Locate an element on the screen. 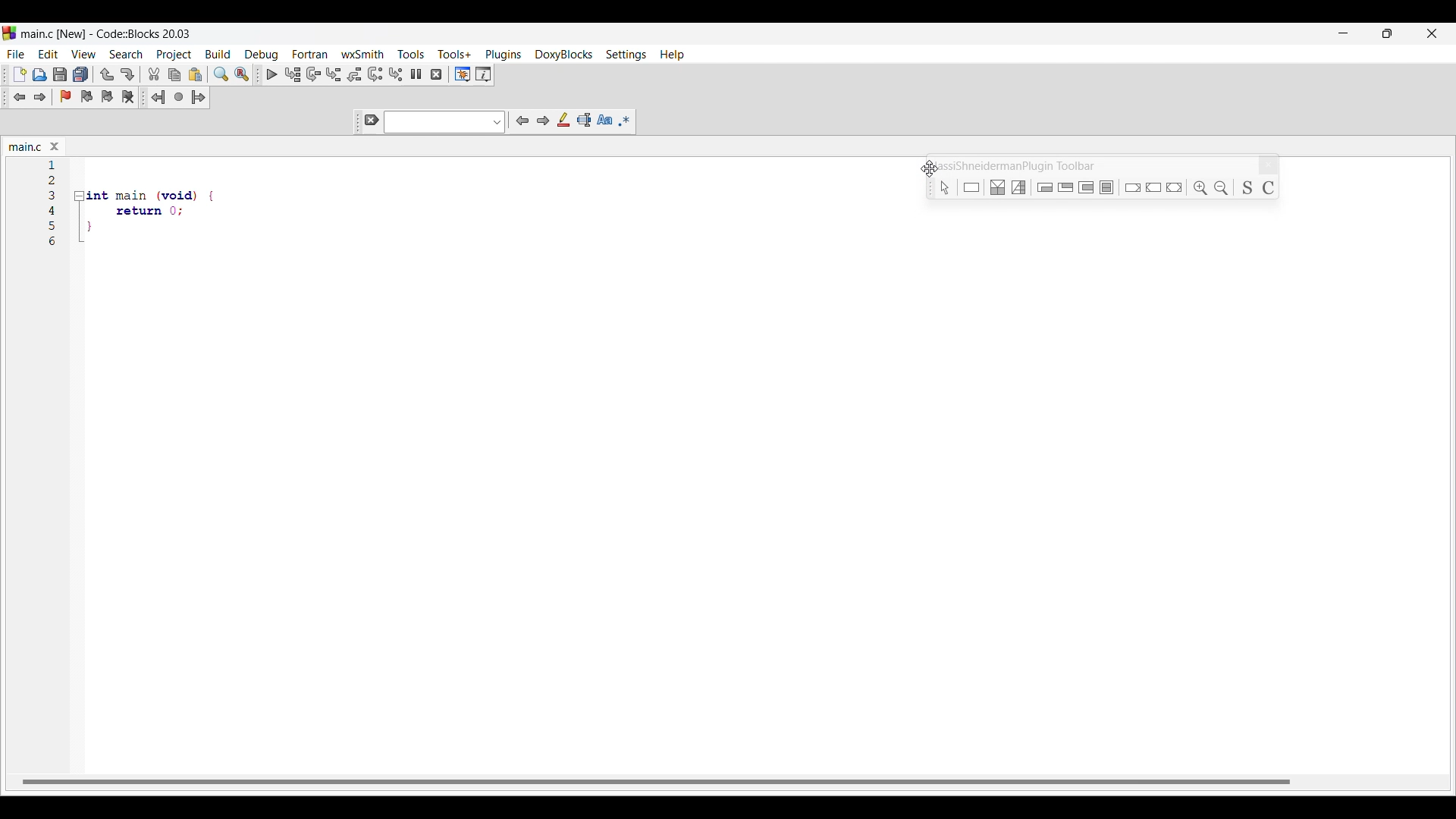  Open is located at coordinates (40, 74).